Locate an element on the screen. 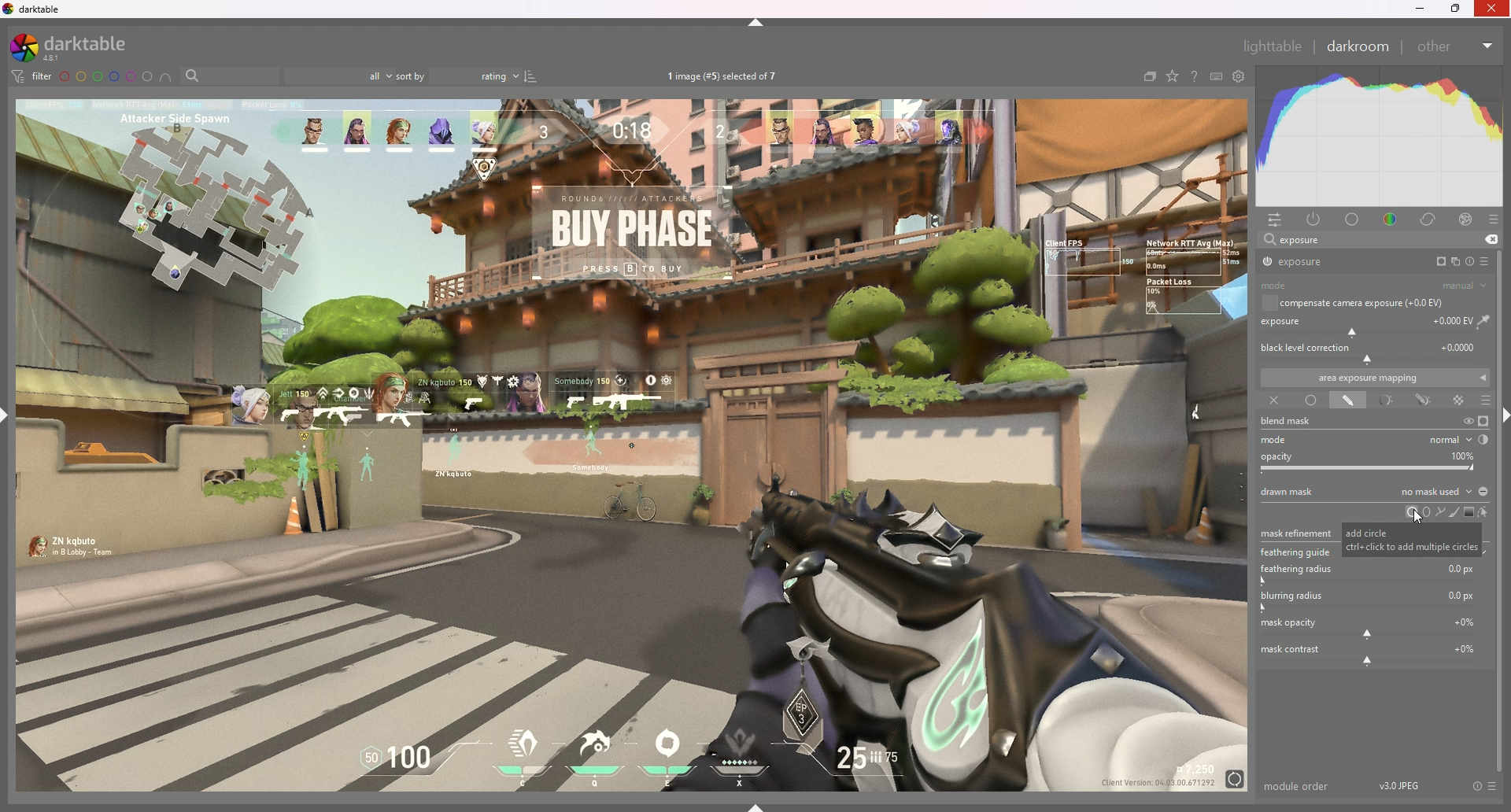  module order is located at coordinates (1298, 786).